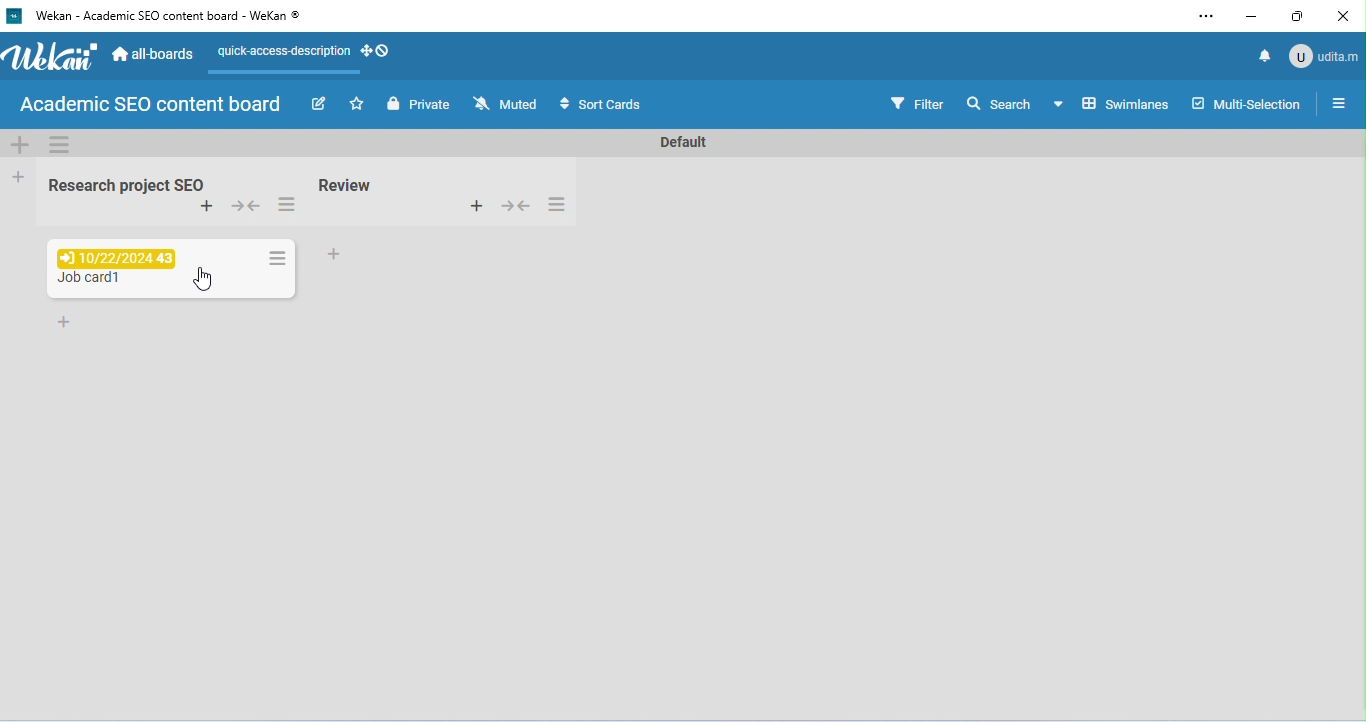  I want to click on add swimelane, so click(20, 144).